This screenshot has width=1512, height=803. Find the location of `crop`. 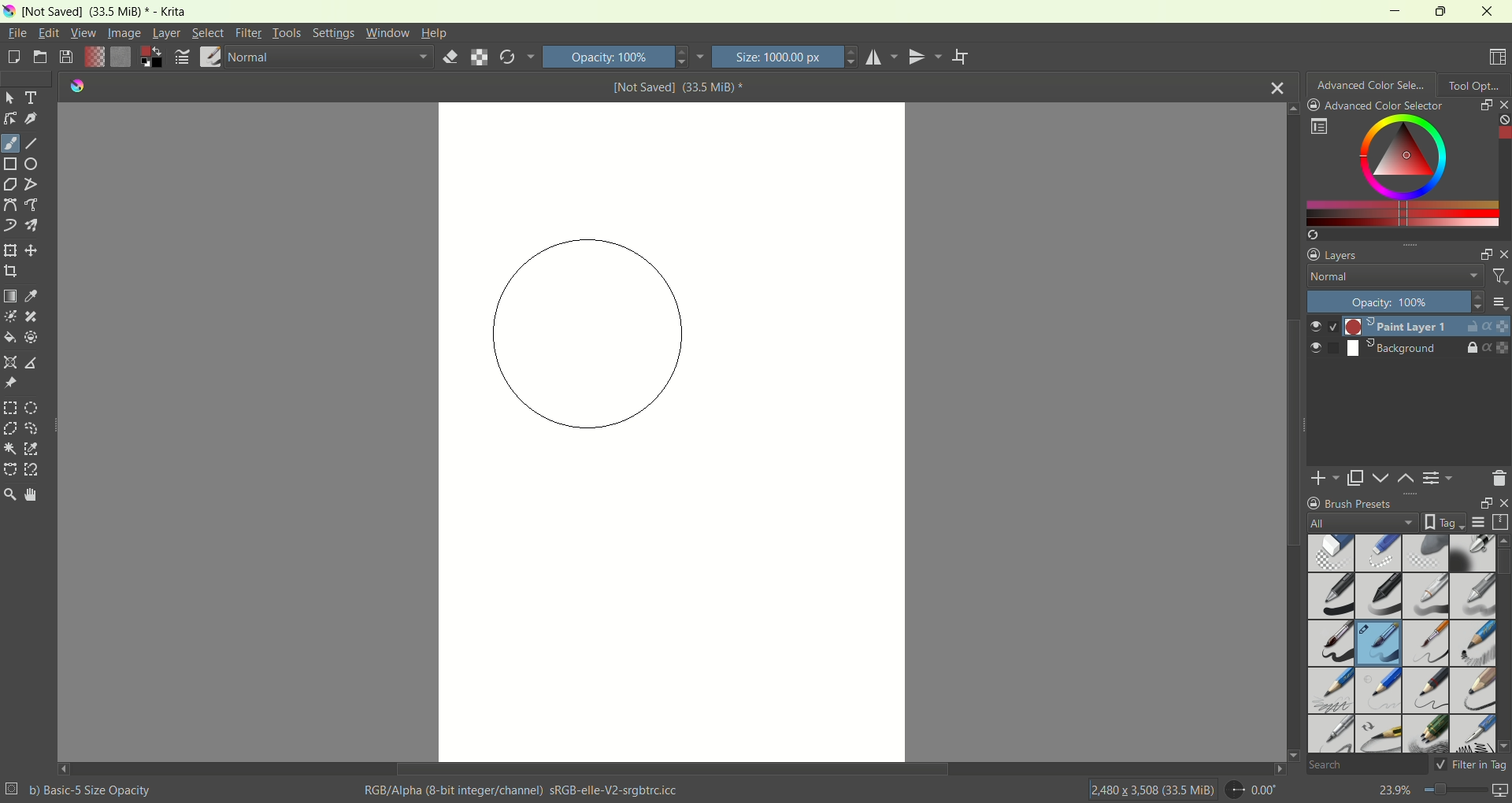

crop is located at coordinates (10, 270).